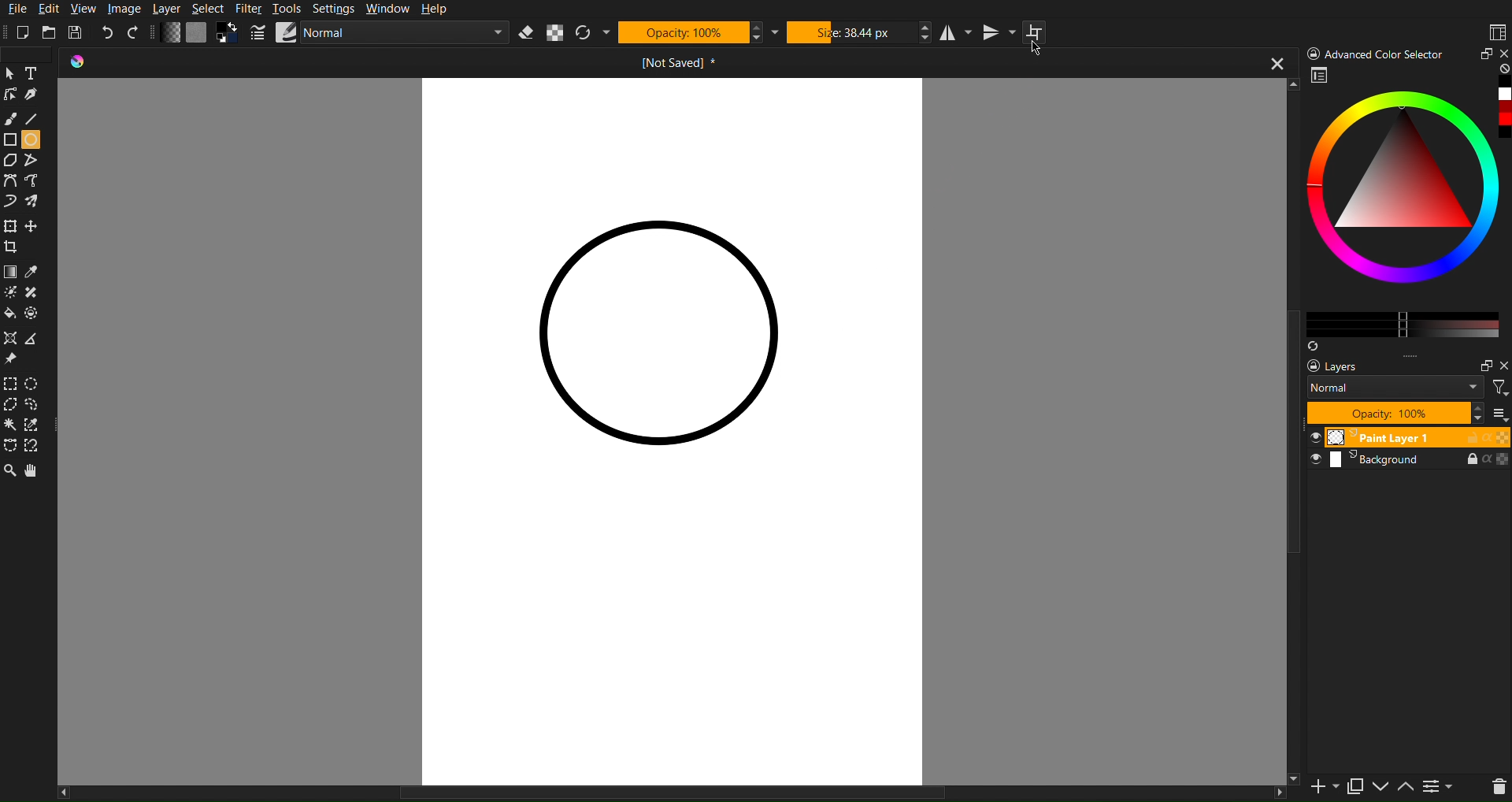 This screenshot has height=802, width=1512. I want to click on Color drop, so click(34, 273).